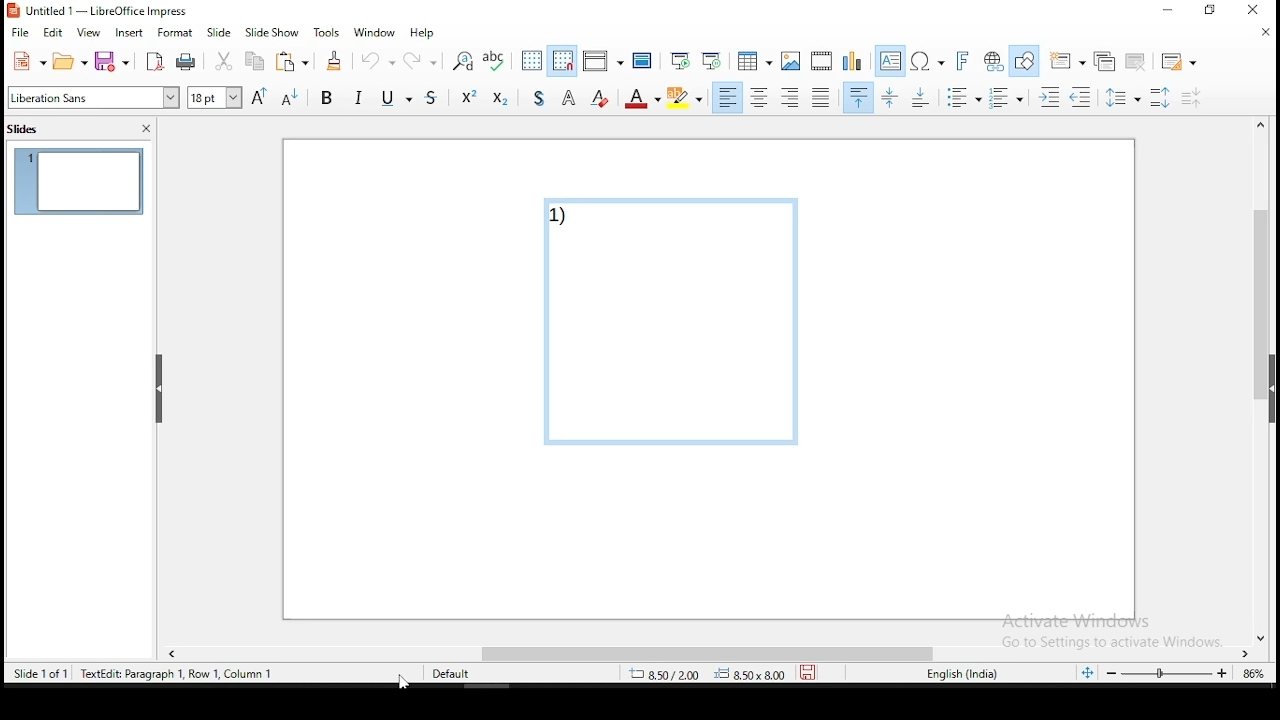  Describe the element at coordinates (401, 682) in the screenshot. I see `mouse pointer` at that location.